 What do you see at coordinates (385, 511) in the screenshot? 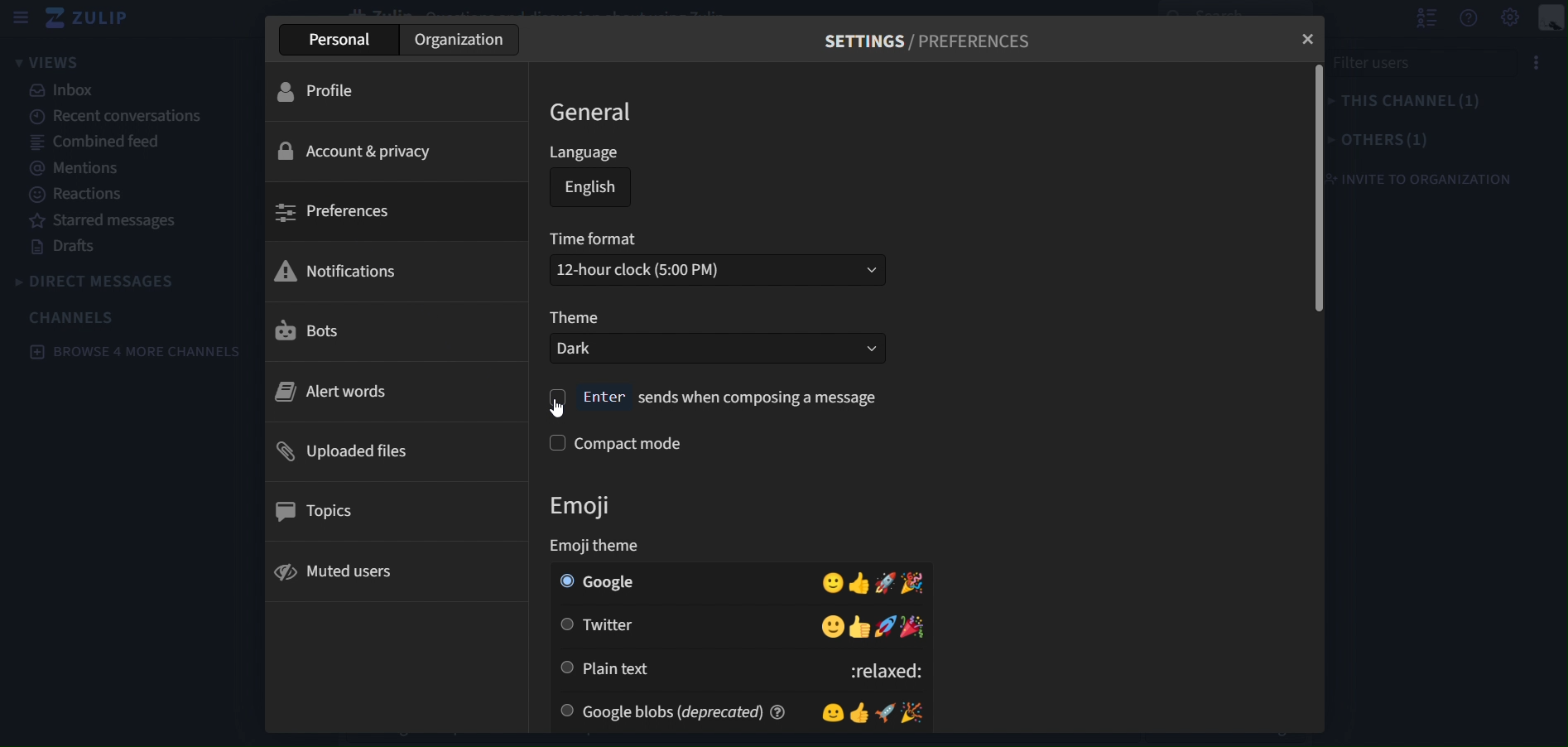
I see `topics` at bounding box center [385, 511].